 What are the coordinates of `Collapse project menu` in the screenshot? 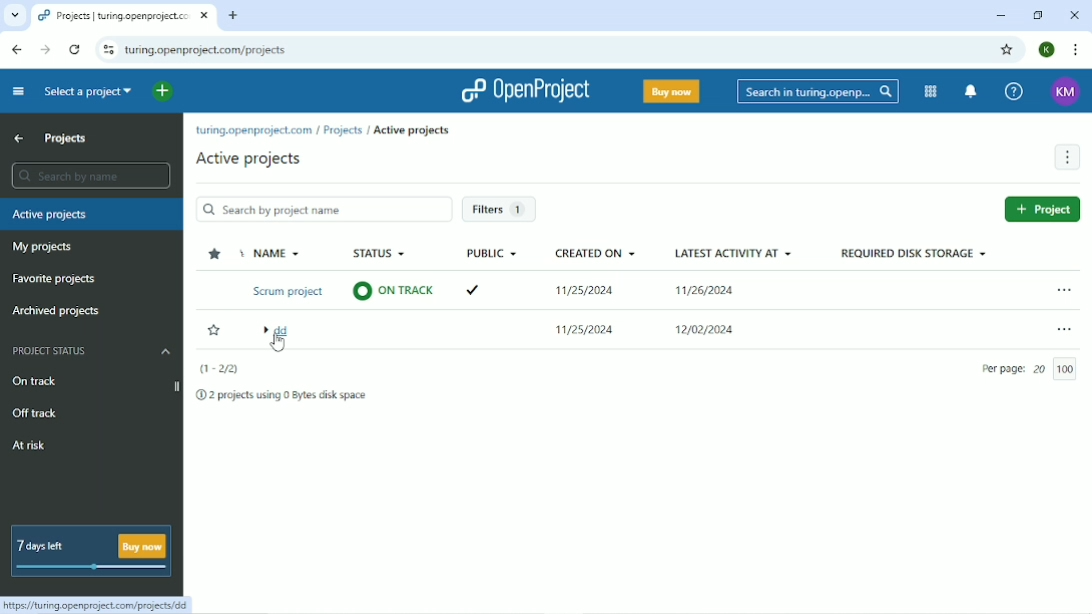 It's located at (17, 92).